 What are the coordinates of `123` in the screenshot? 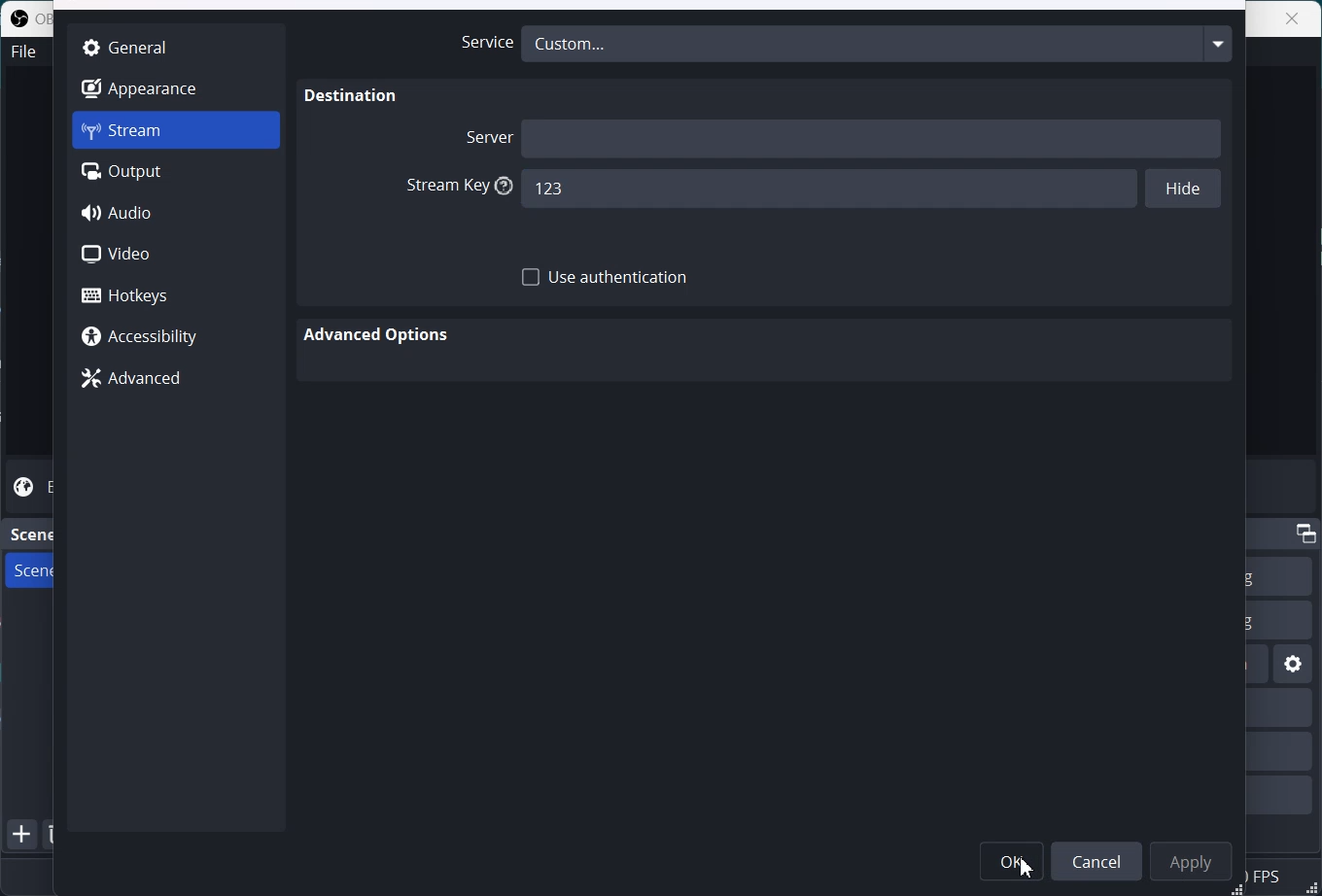 It's located at (825, 190).